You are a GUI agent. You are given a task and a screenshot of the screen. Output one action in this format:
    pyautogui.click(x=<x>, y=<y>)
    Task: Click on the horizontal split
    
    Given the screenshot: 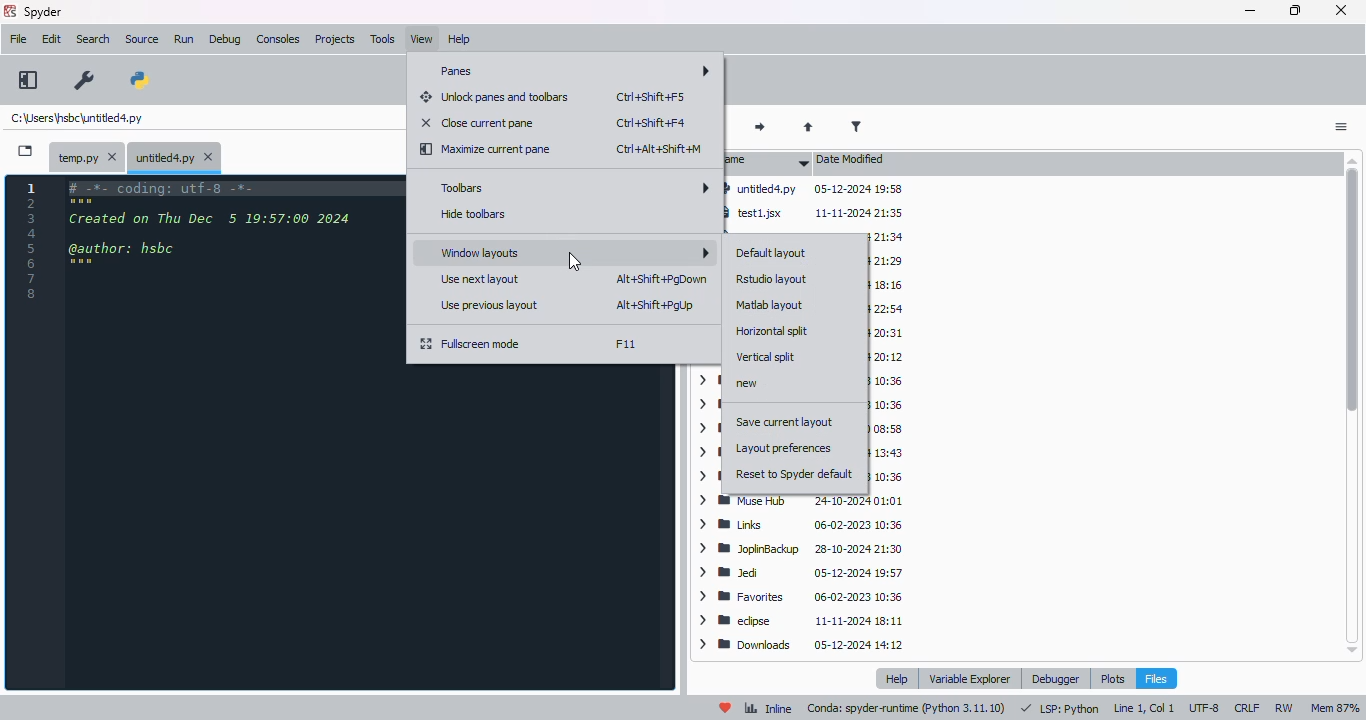 What is the action you would take?
    pyautogui.click(x=773, y=331)
    